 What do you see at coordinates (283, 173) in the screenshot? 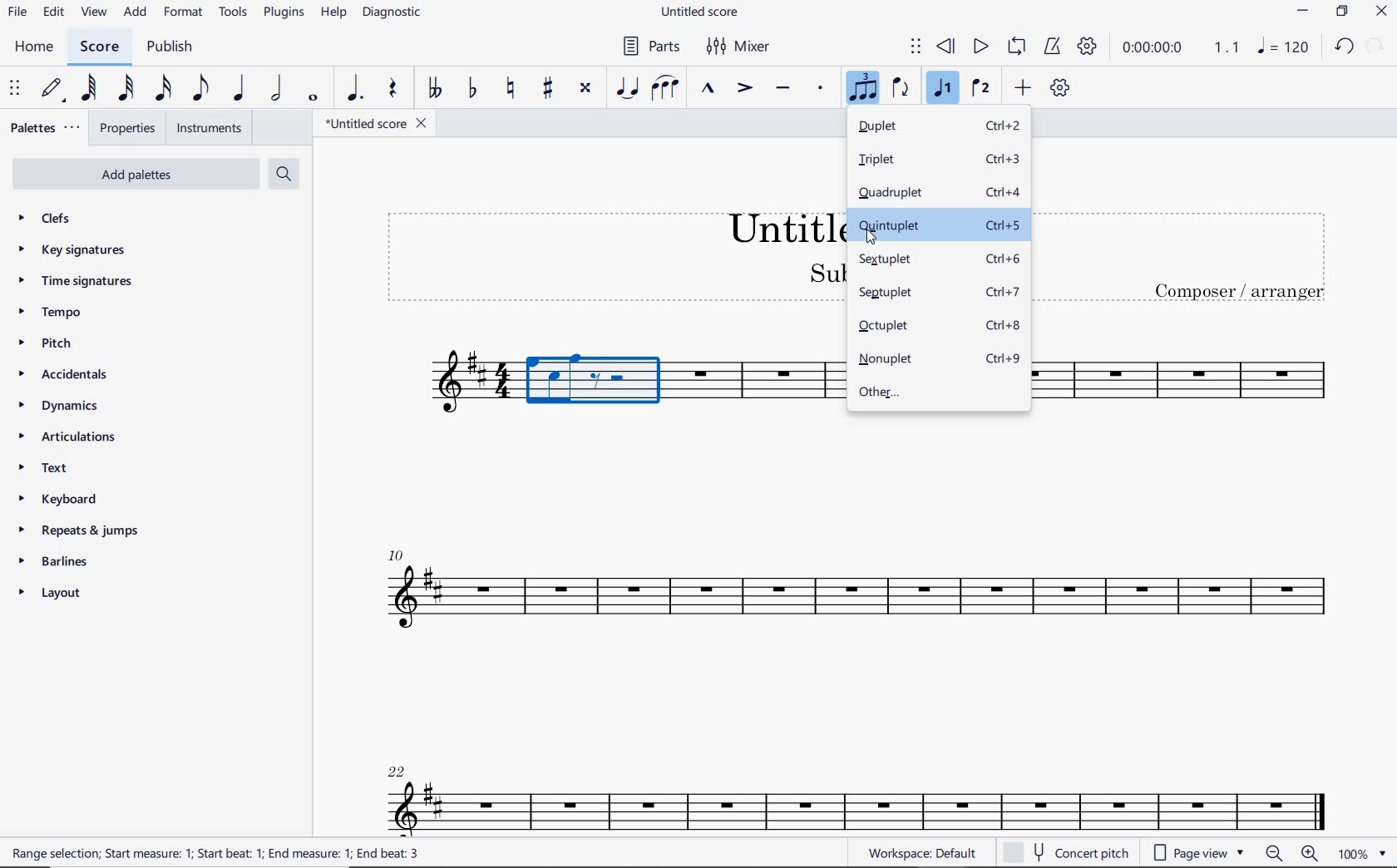
I see `SEARCH PALETTES` at bounding box center [283, 173].